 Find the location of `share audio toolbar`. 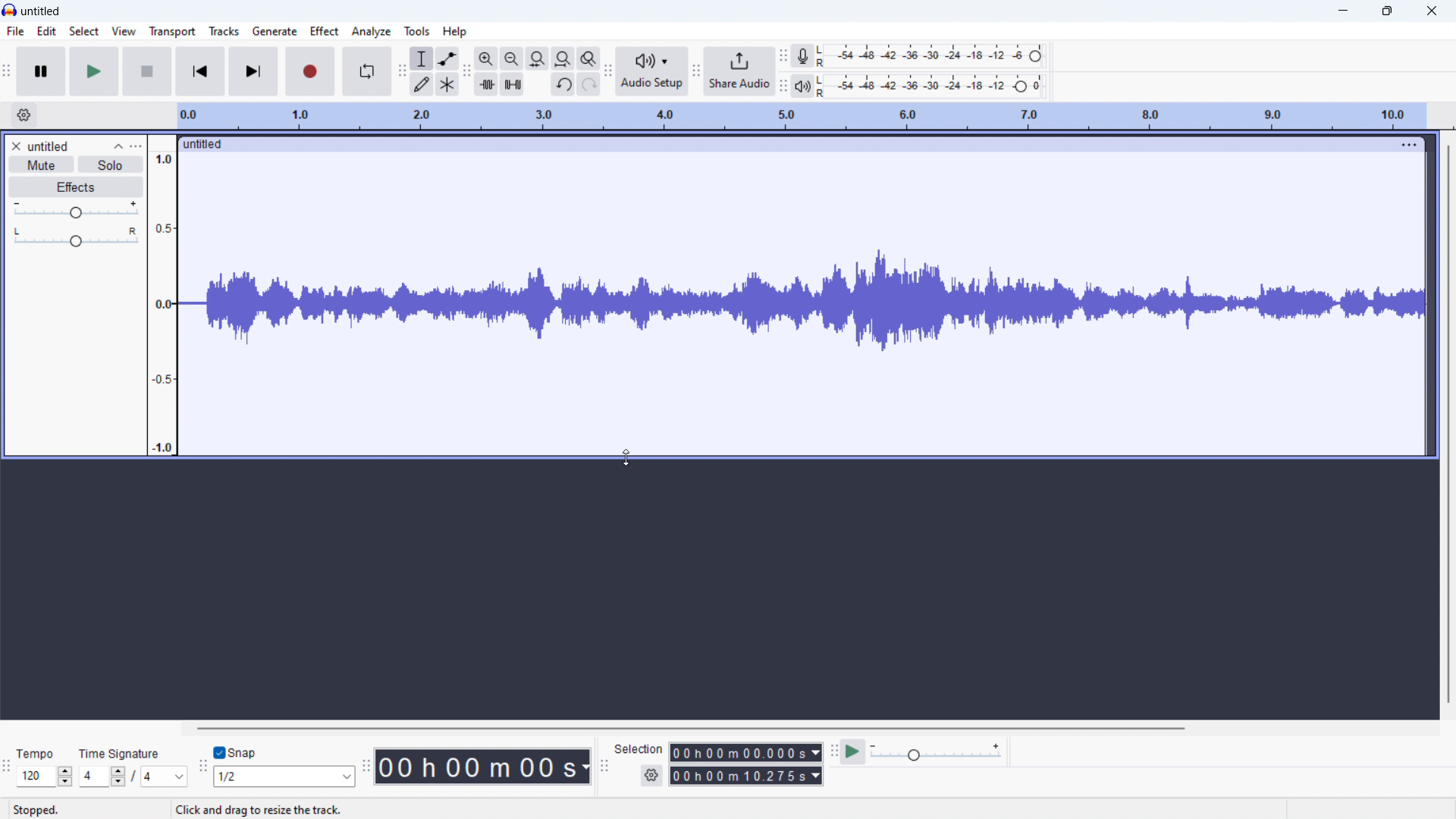

share audio toolbar is located at coordinates (696, 74).